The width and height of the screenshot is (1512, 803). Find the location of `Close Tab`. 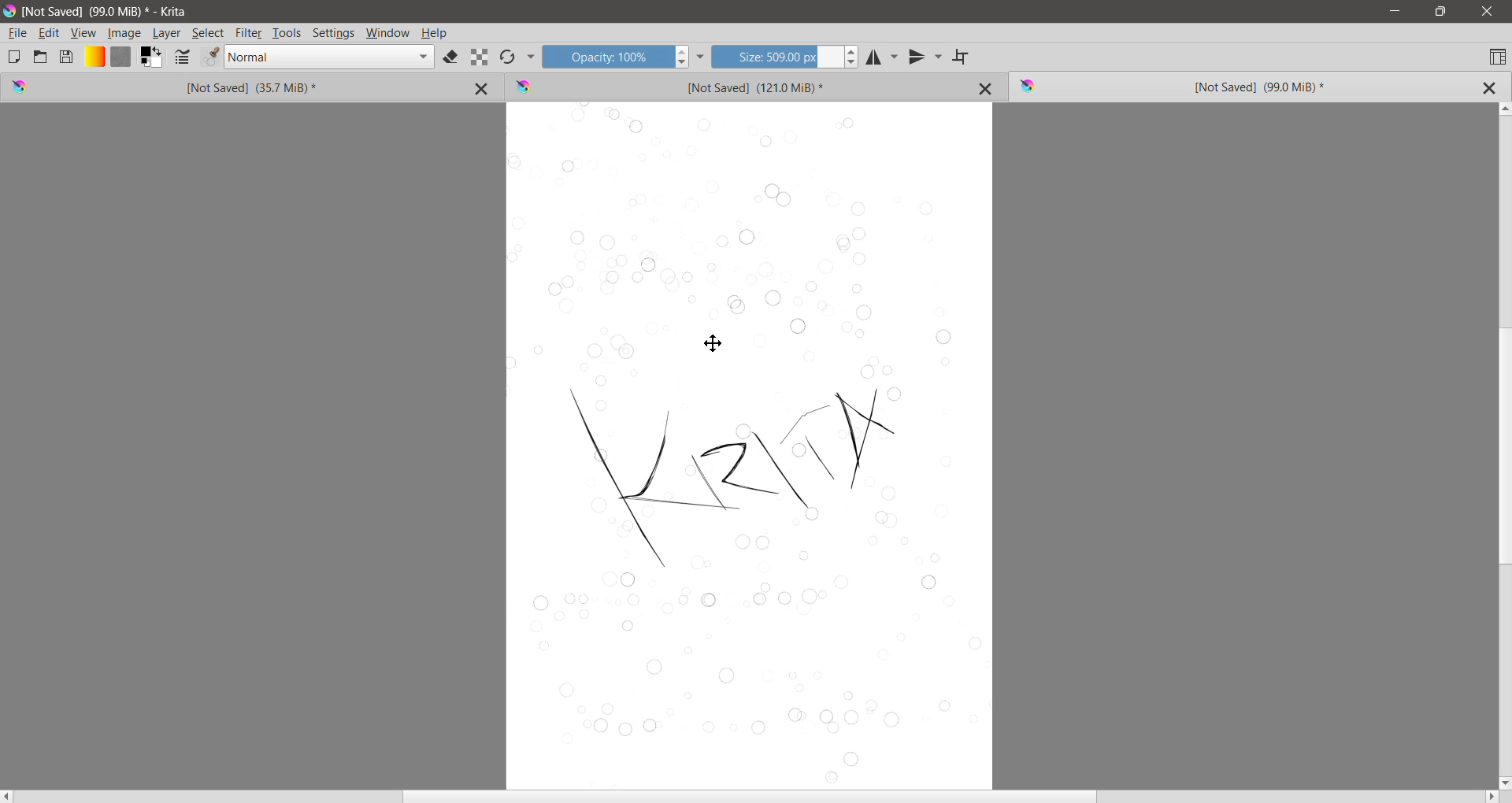

Close Tab is located at coordinates (1488, 88).